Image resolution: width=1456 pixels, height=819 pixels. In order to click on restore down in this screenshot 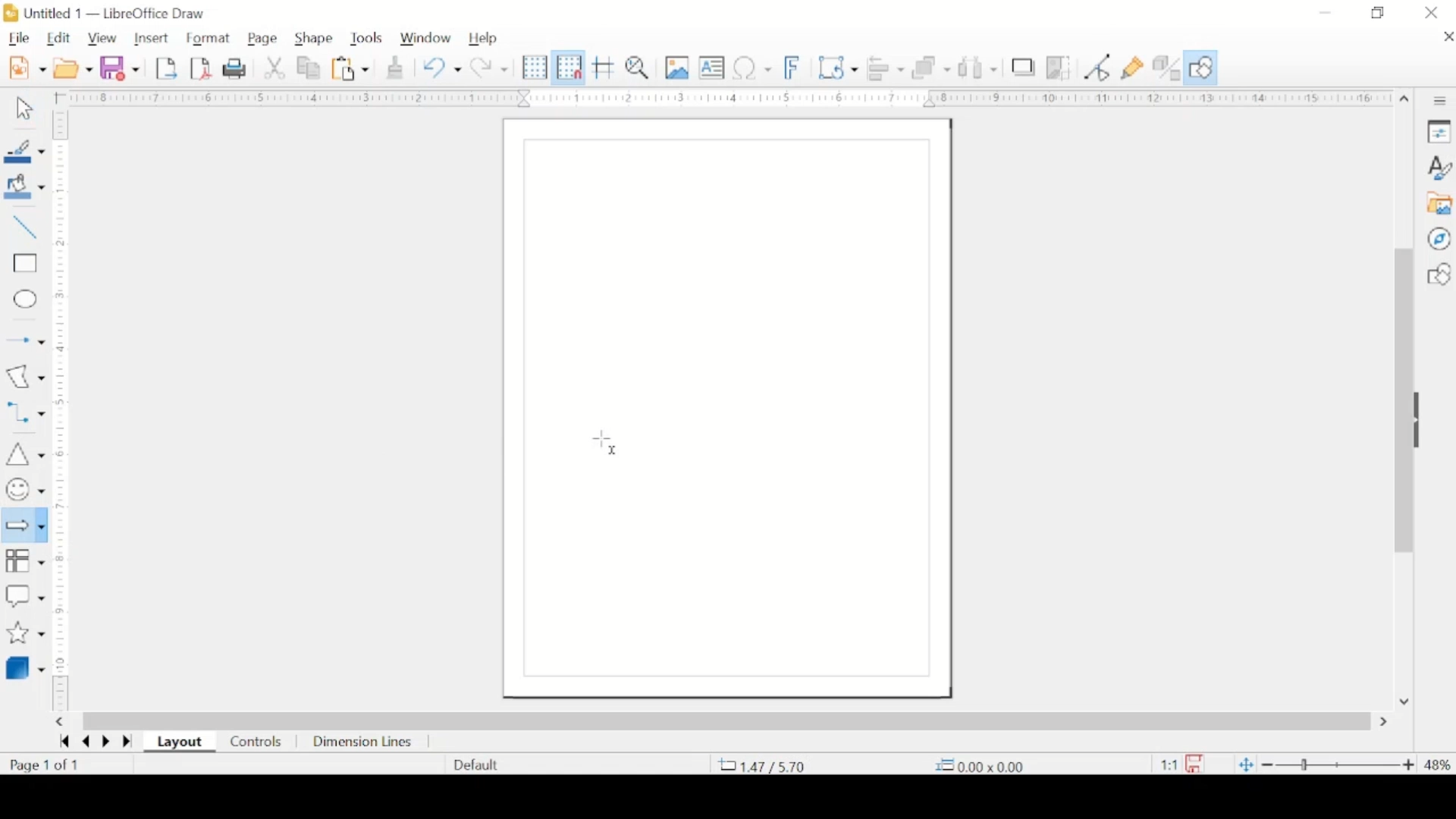, I will do `click(1379, 13)`.